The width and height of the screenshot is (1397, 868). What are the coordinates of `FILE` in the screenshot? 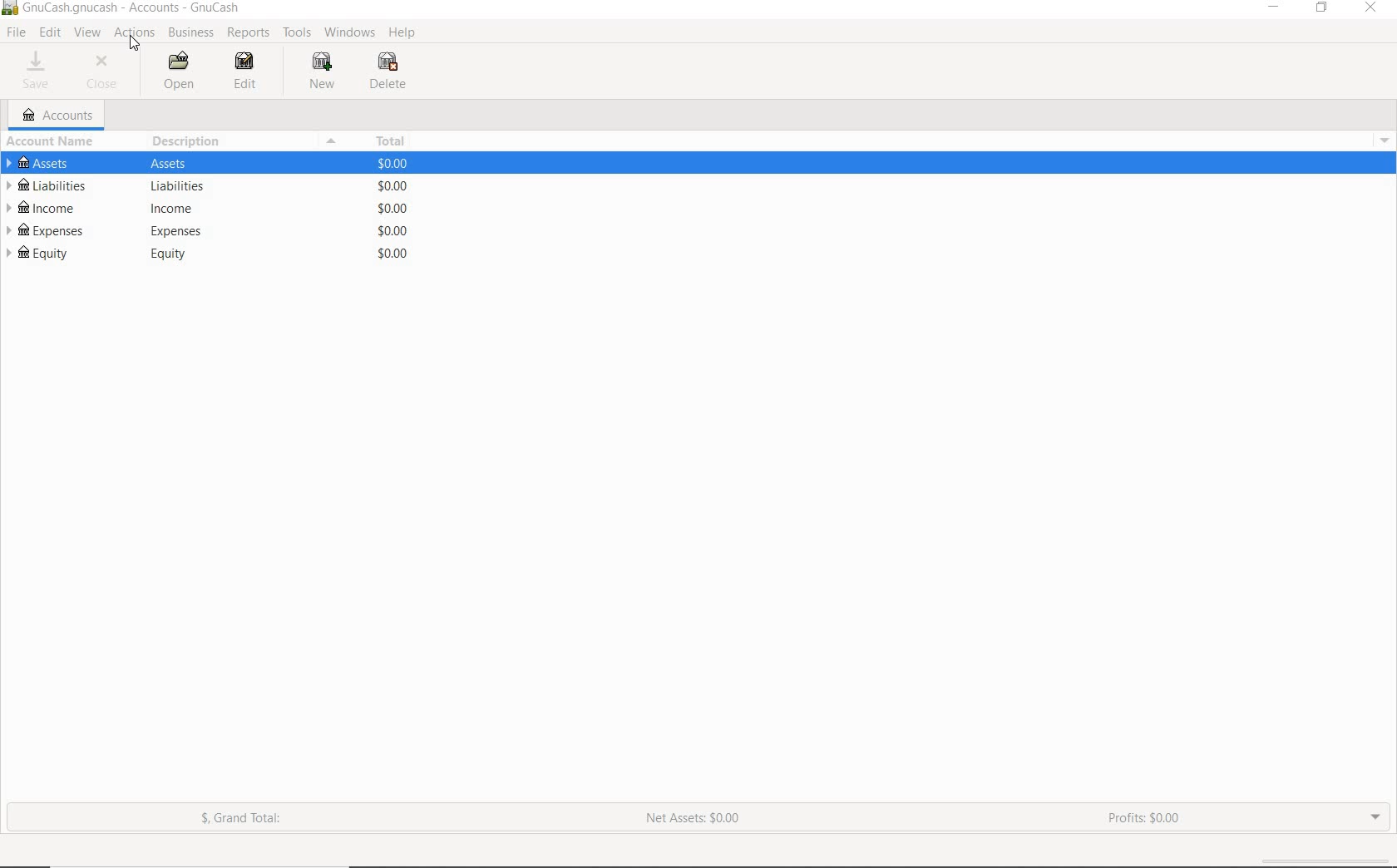 It's located at (16, 33).